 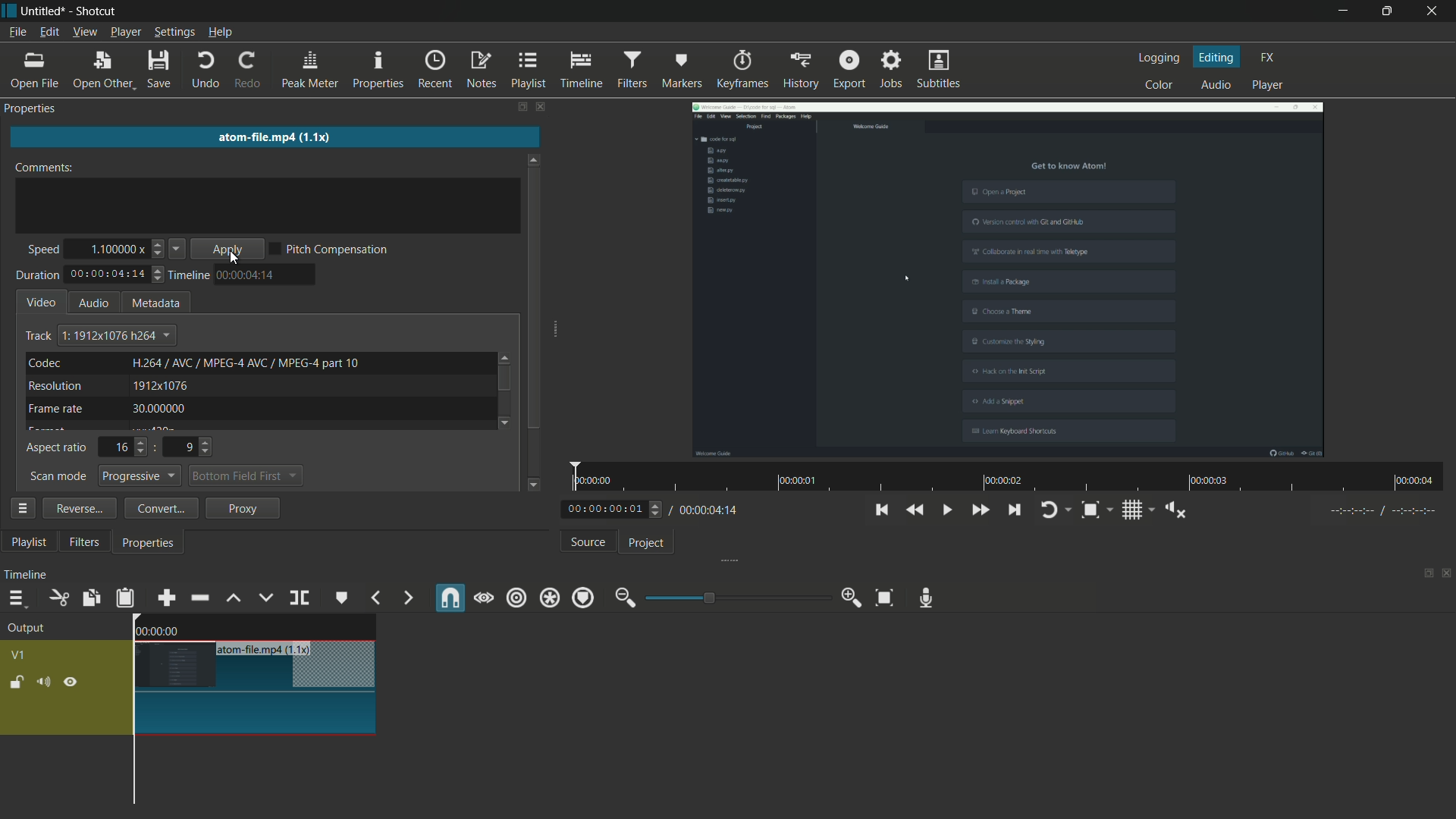 I want to click on filters, so click(x=85, y=542).